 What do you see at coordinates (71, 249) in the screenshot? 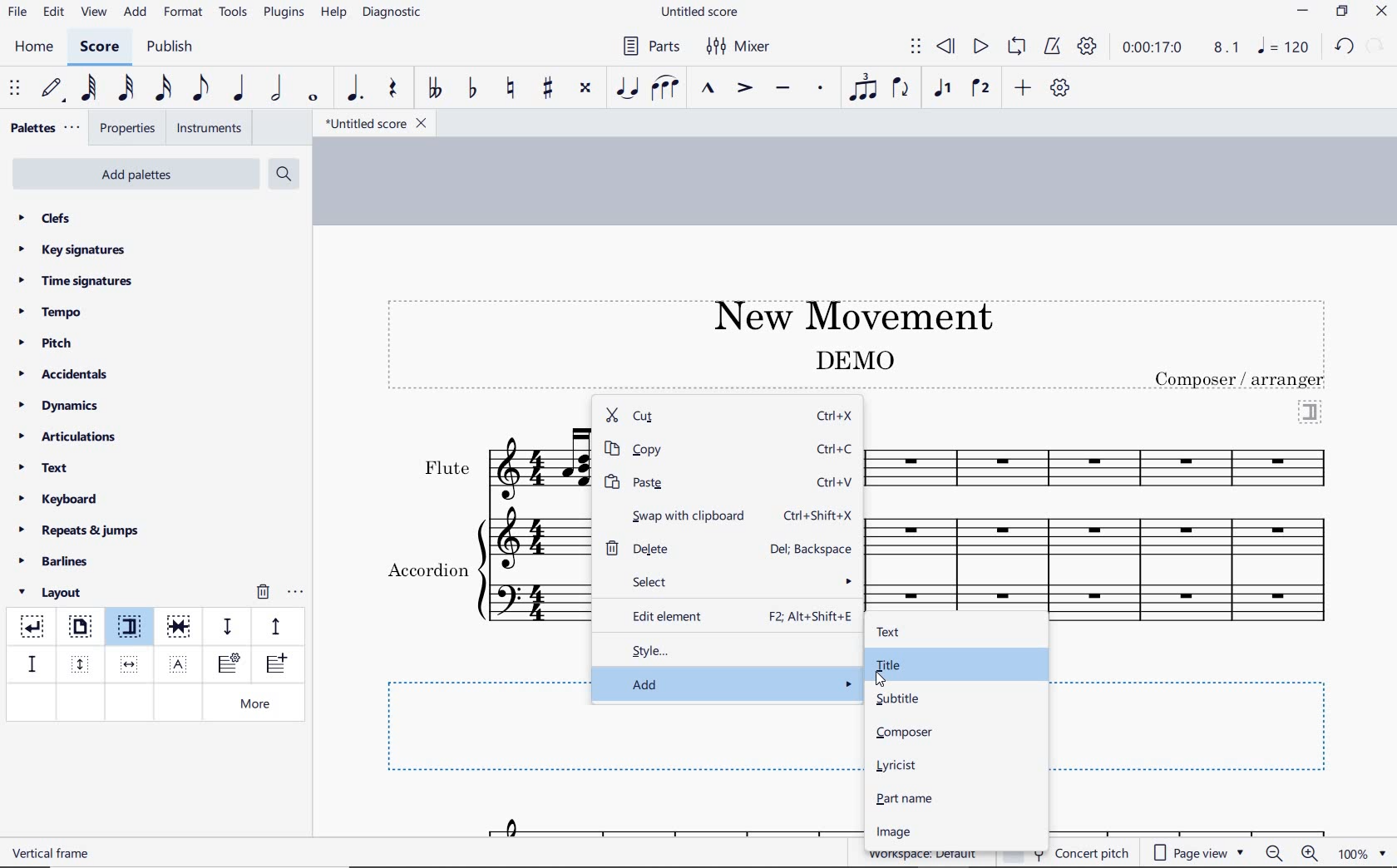
I see `key signatures` at bounding box center [71, 249].